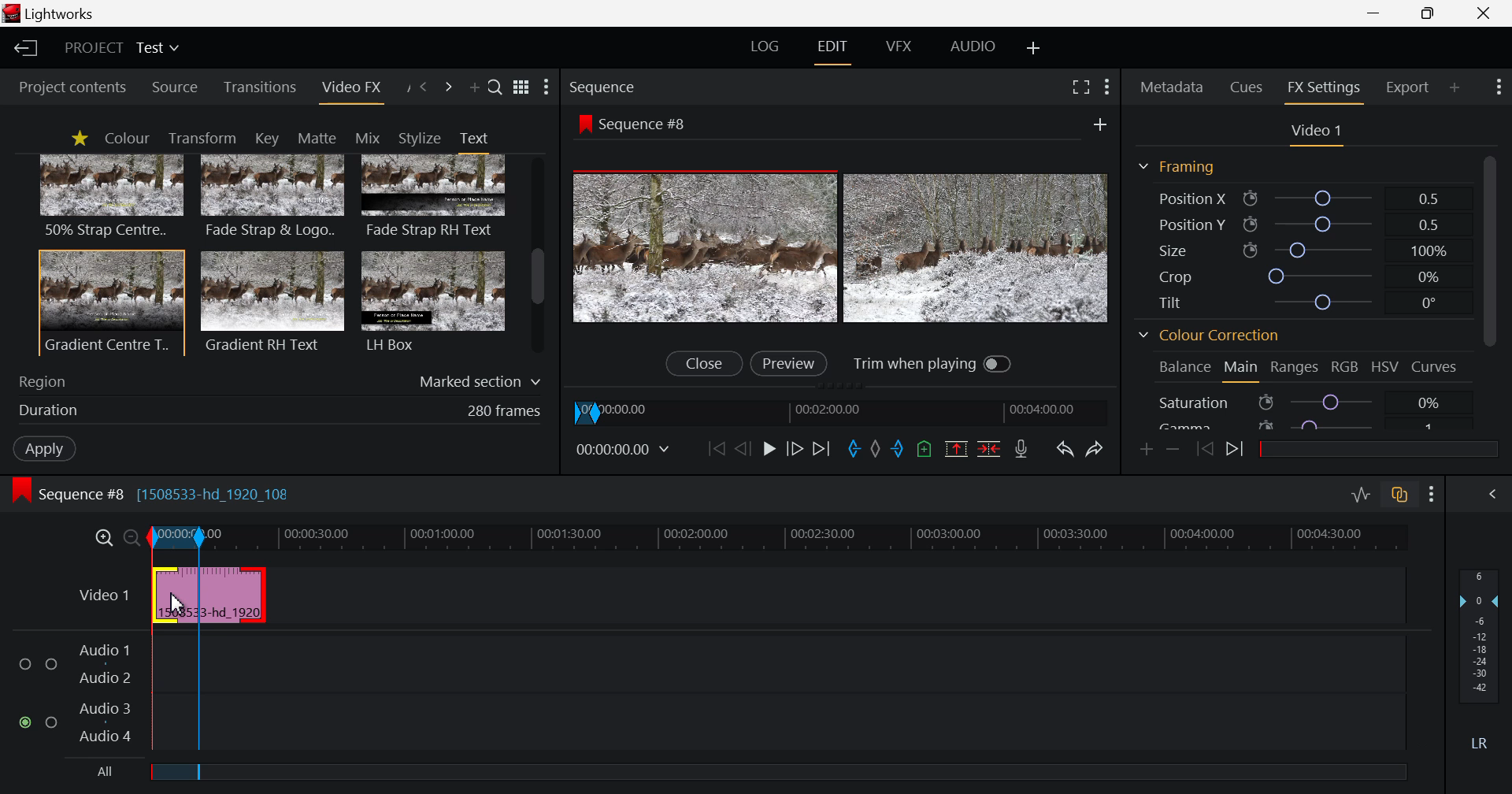  I want to click on Position Y, so click(1303, 224).